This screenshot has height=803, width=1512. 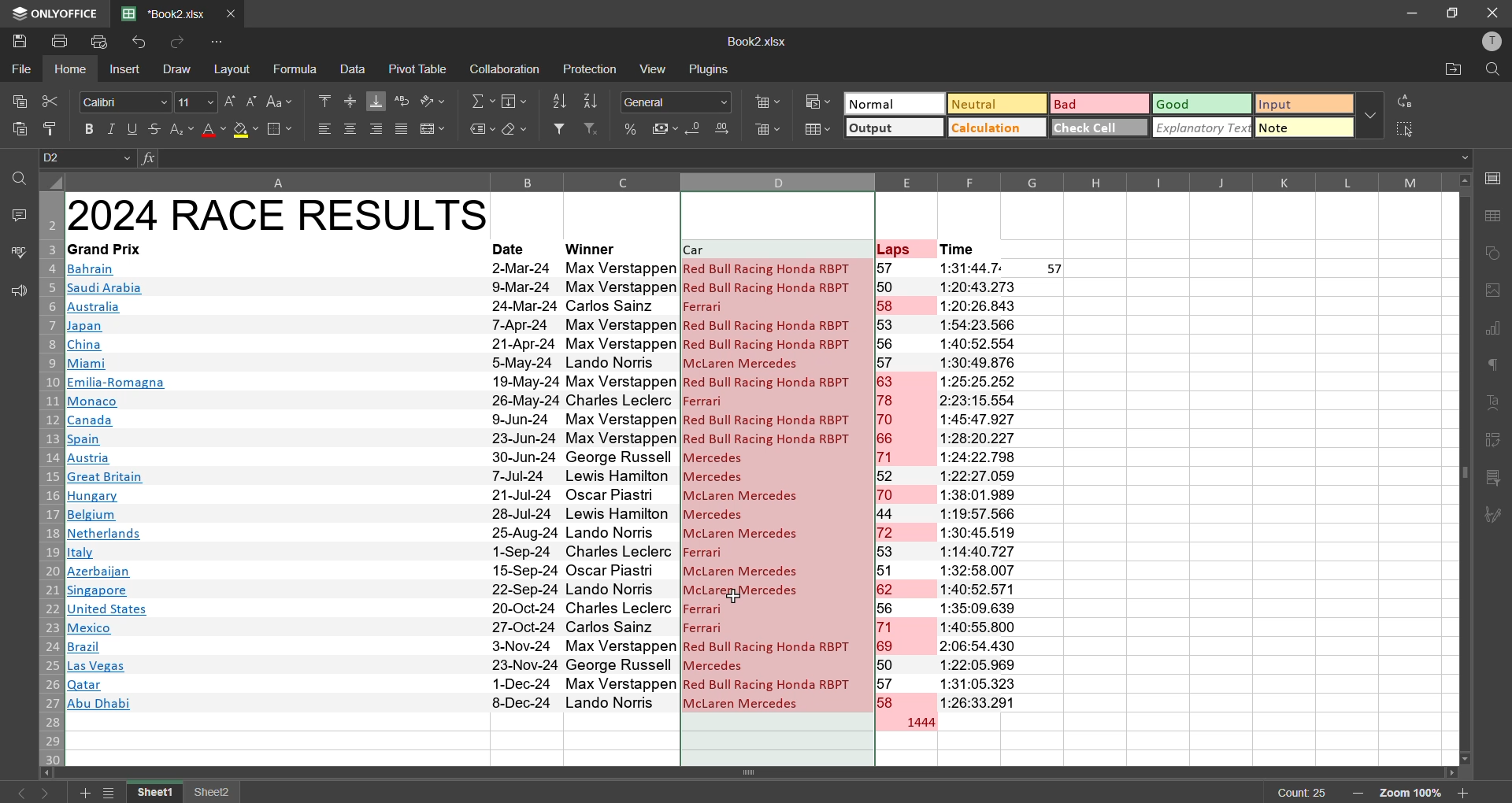 I want to click on sub/superscript, so click(x=180, y=128).